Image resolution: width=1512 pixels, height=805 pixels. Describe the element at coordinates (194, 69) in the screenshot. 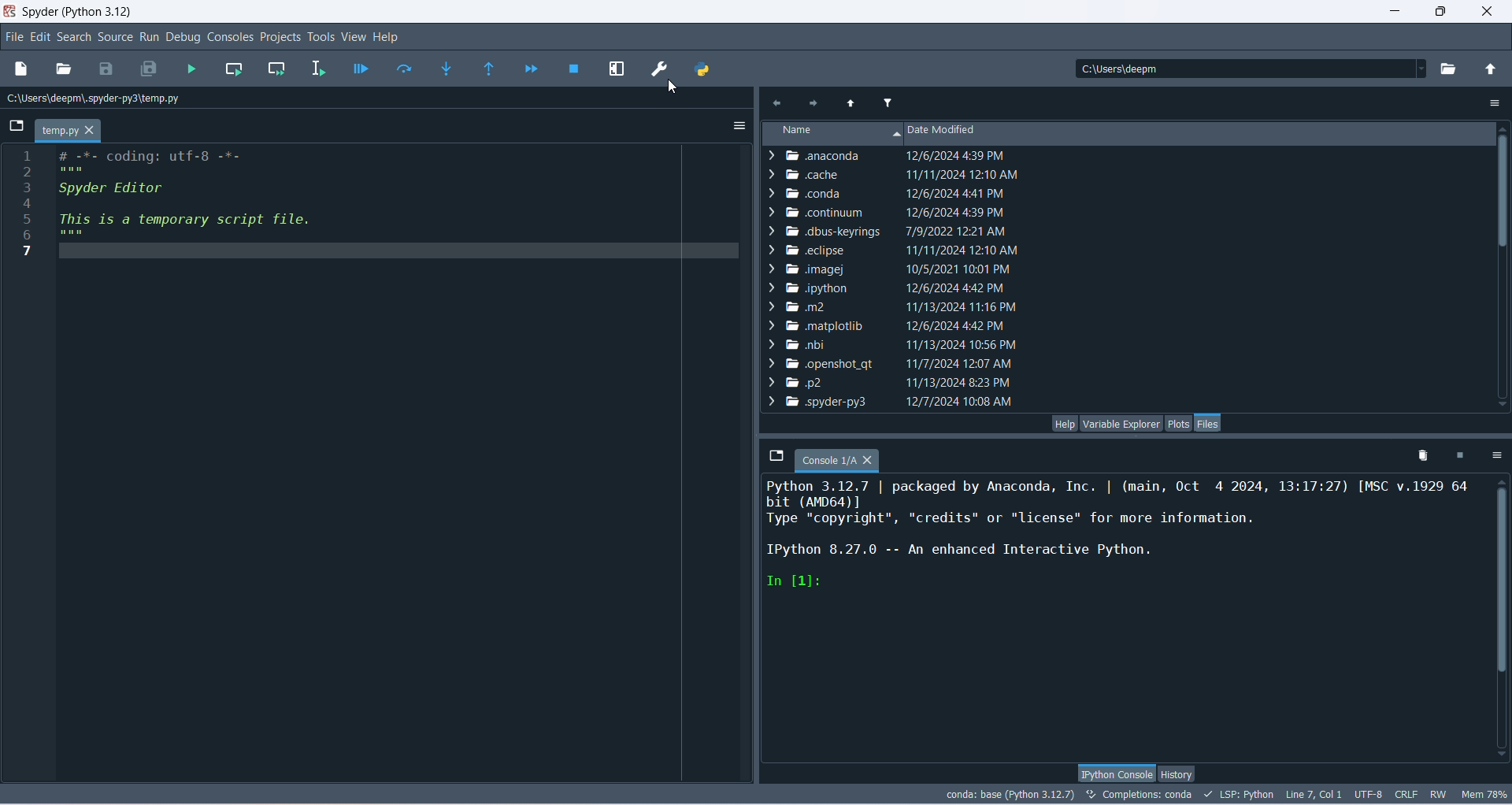

I see `run file` at that location.